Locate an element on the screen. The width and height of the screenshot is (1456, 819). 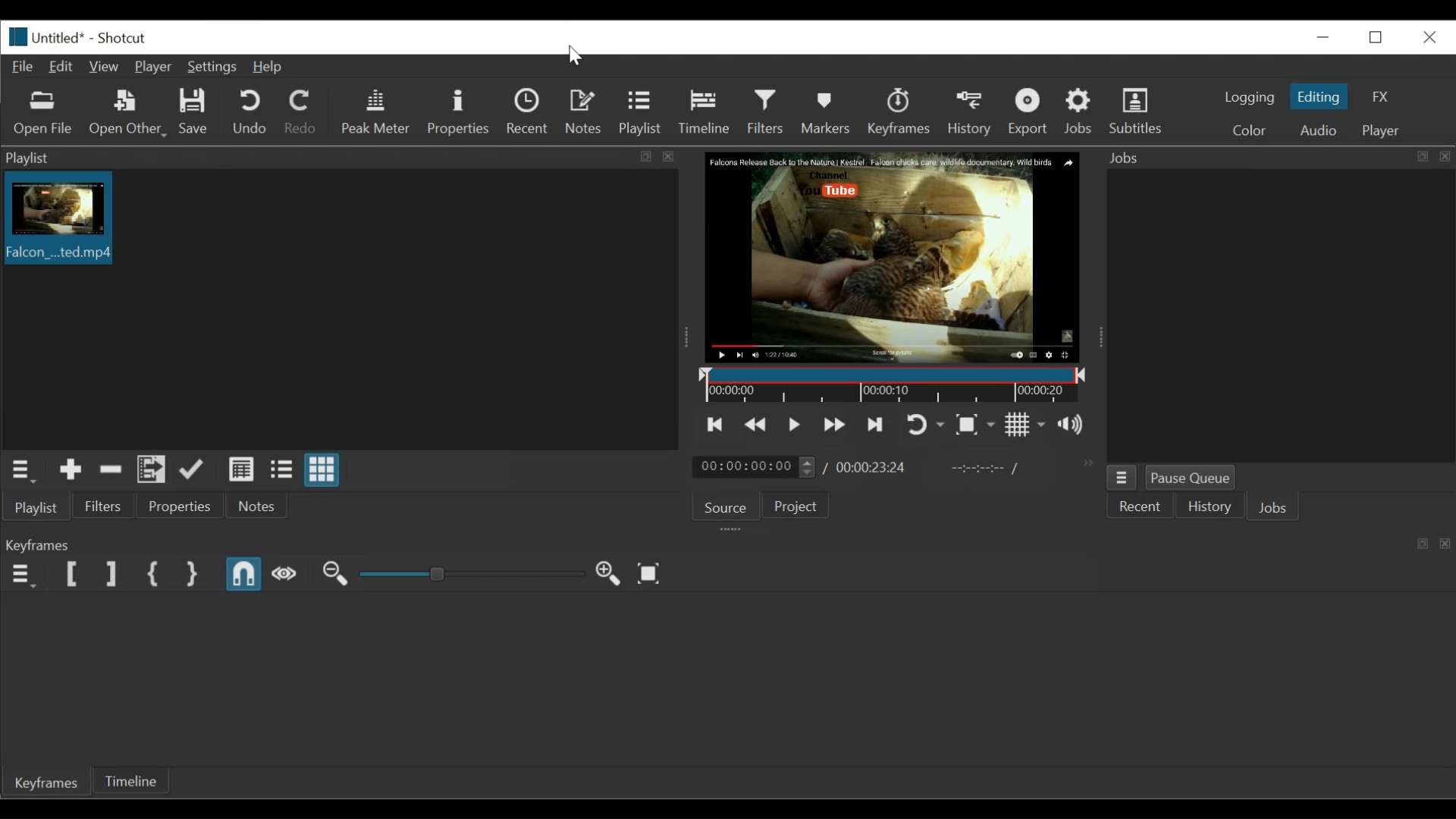
View as files is located at coordinates (279, 471).